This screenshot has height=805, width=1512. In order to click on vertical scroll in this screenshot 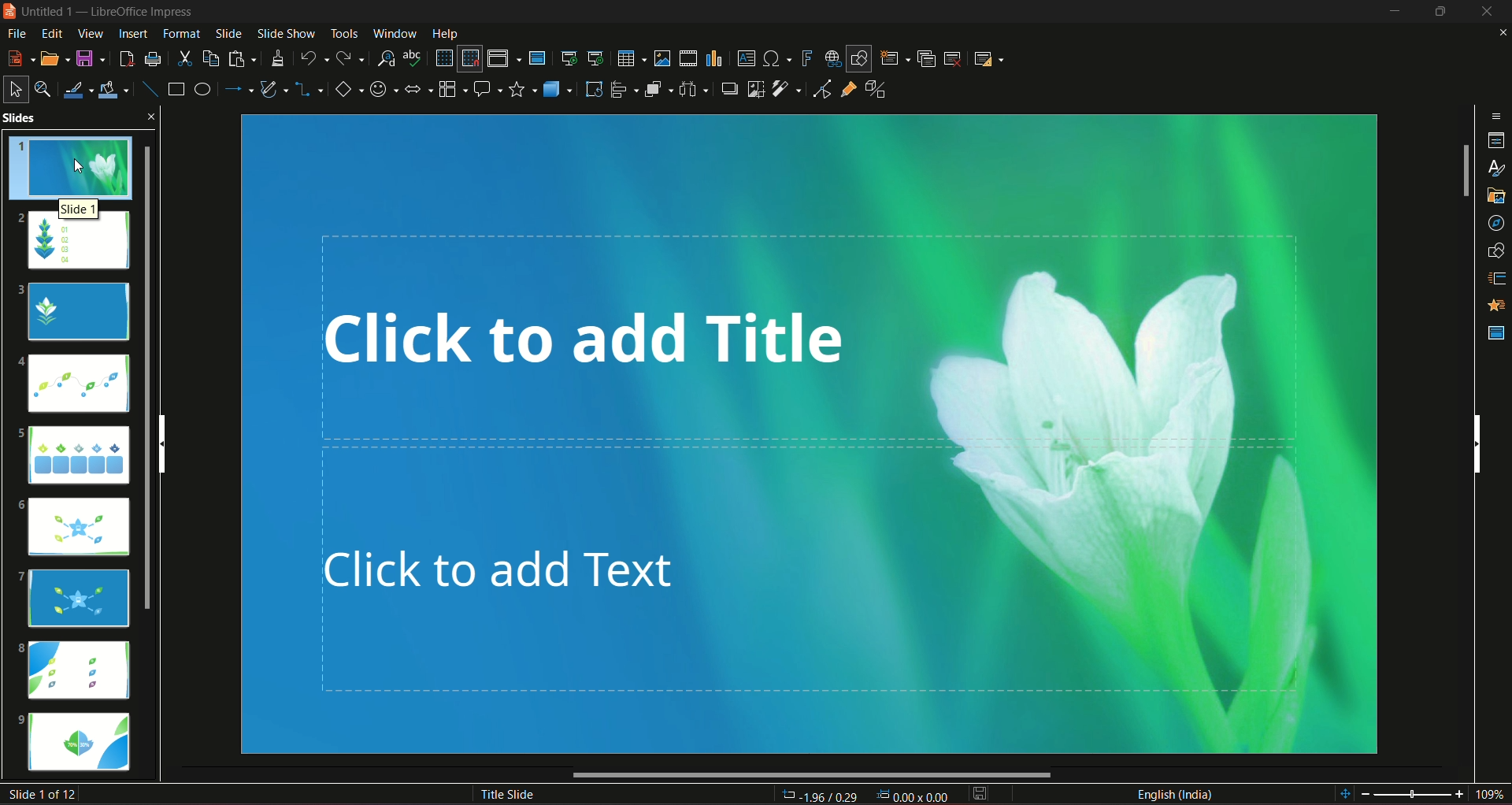, I will do `click(174, 443)`.